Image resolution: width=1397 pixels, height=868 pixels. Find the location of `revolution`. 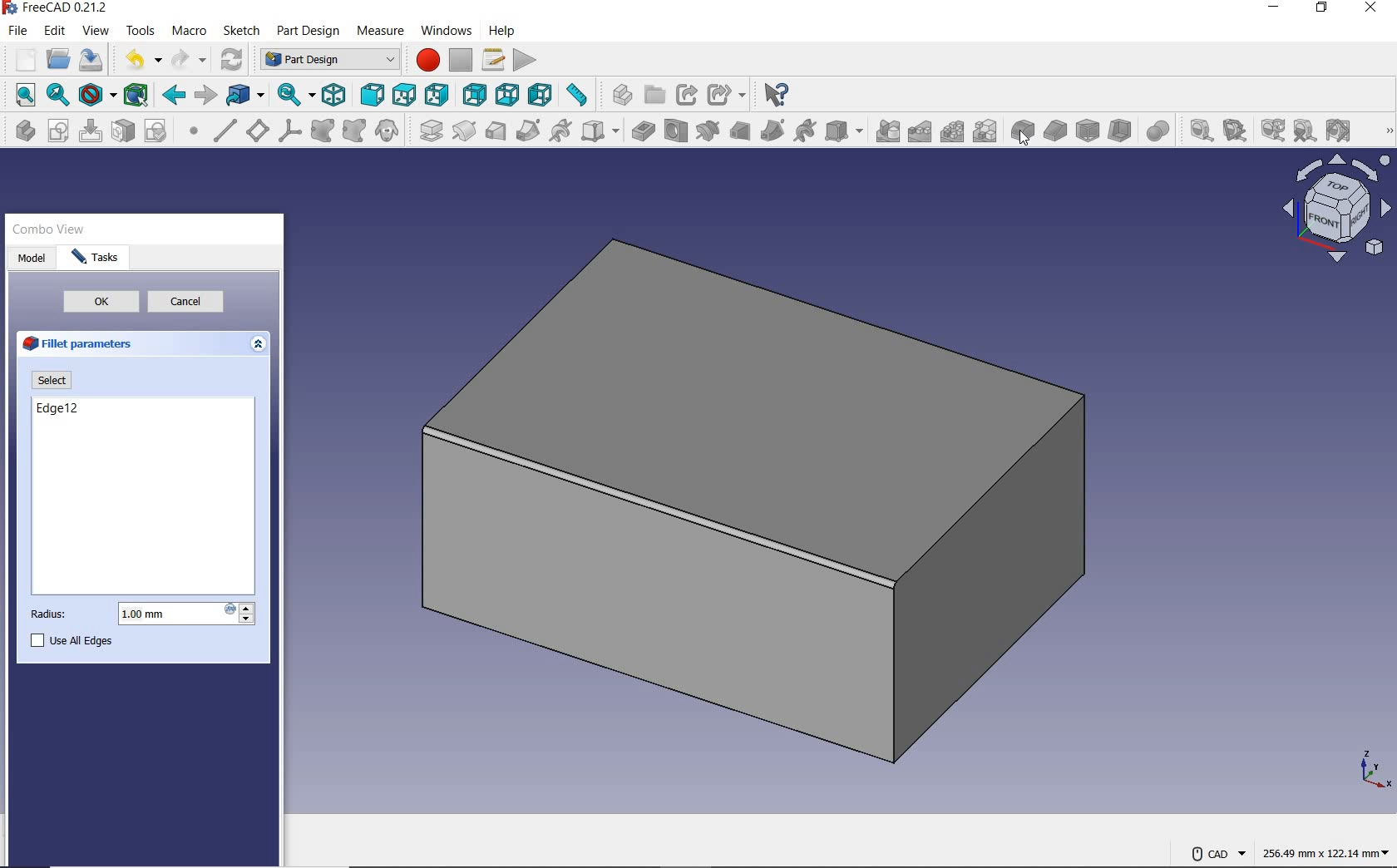

revolution is located at coordinates (466, 131).